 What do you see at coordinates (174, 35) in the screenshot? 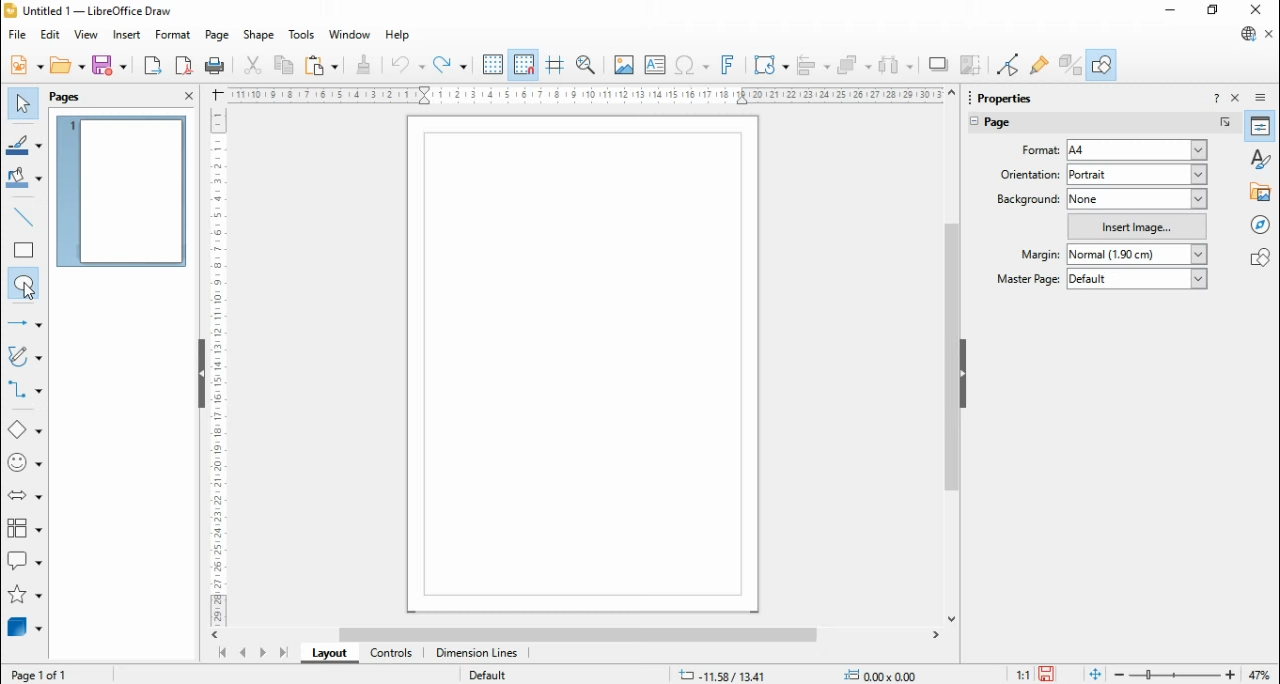
I see `format` at bounding box center [174, 35].